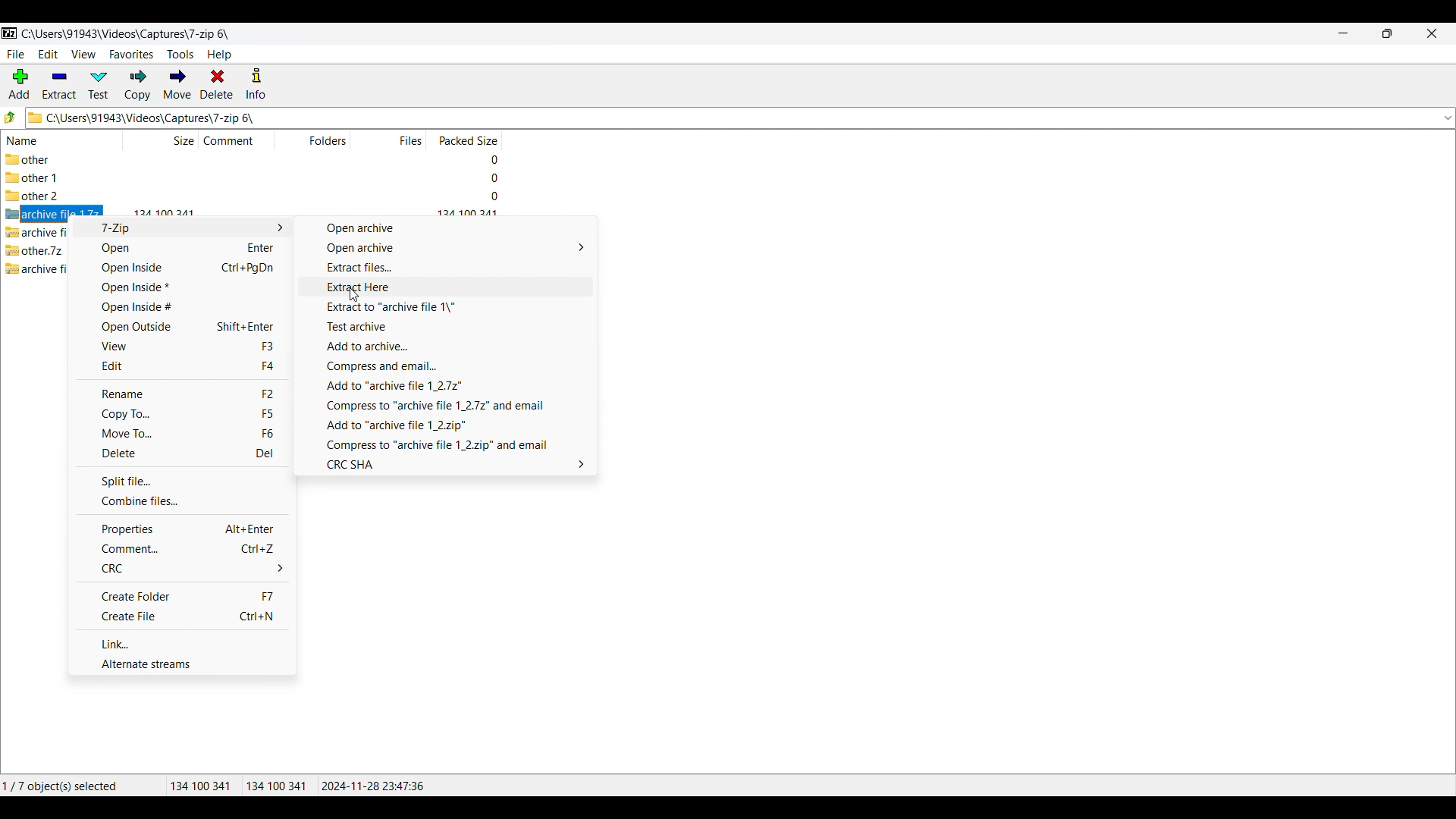  I want to click on other 1 , so click(39, 178).